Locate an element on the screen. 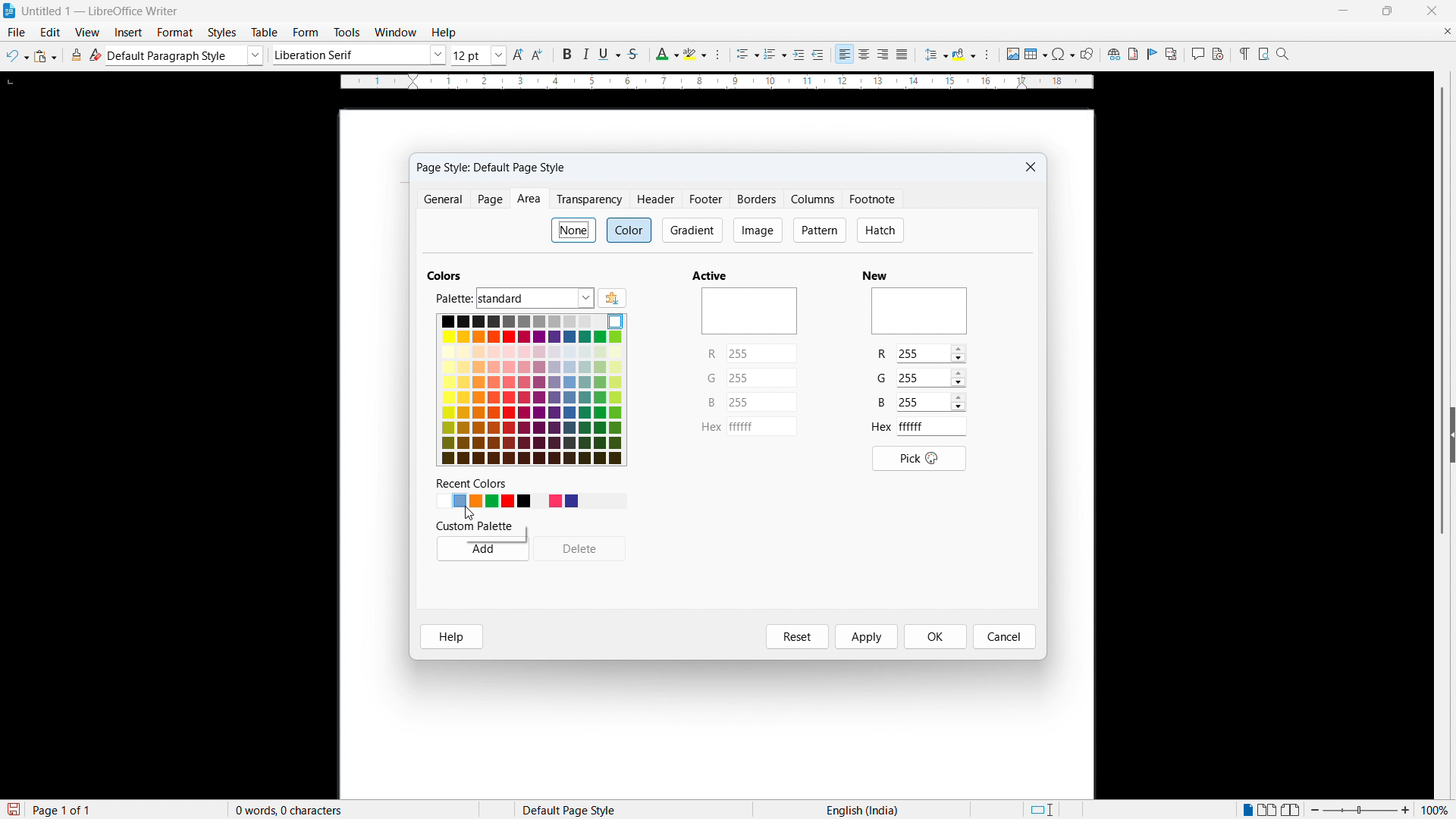 This screenshot has width=1456, height=819. Toggle formatting marks  is located at coordinates (1242, 53).